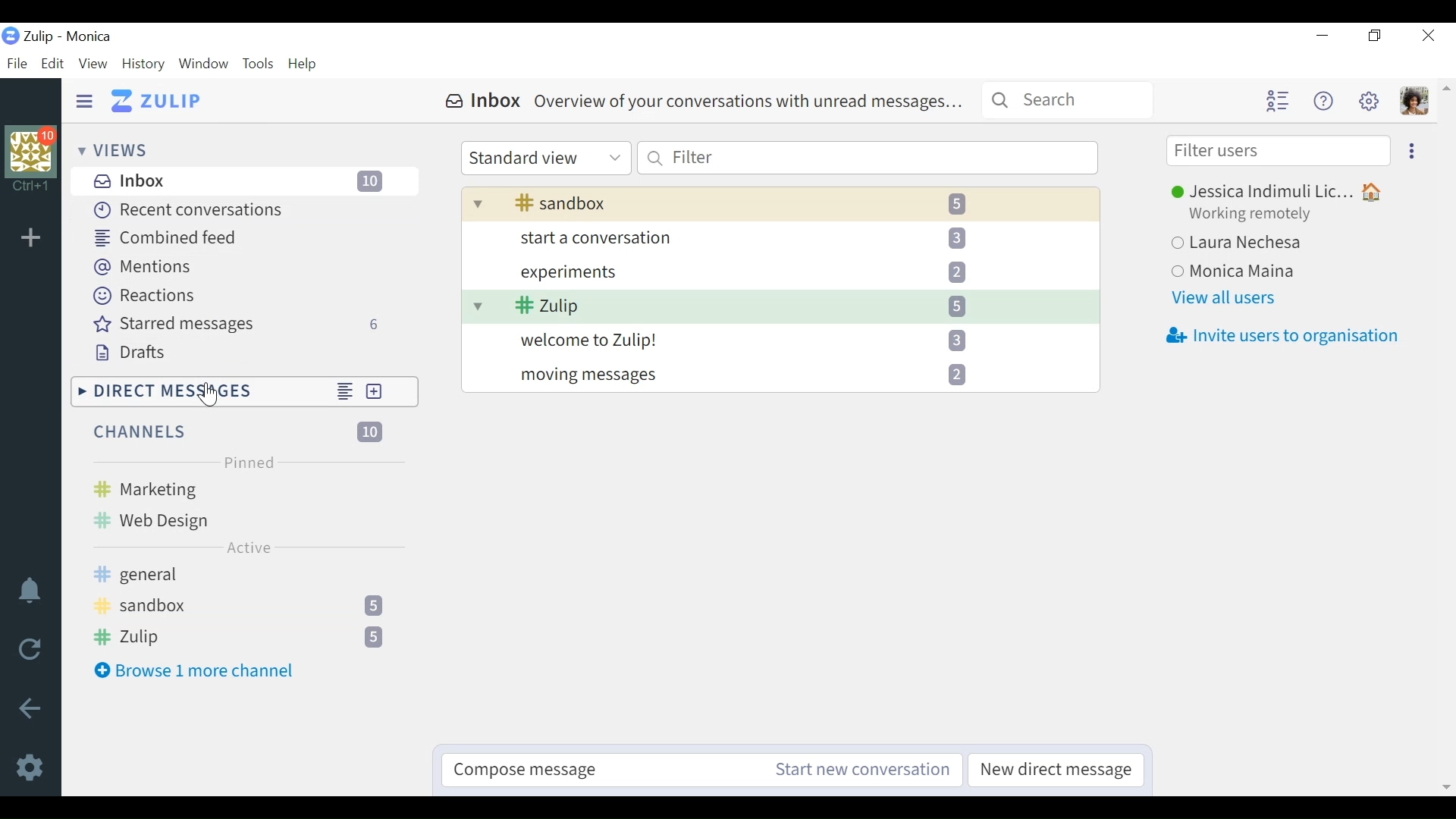  Describe the element at coordinates (257, 64) in the screenshot. I see `Tools` at that location.